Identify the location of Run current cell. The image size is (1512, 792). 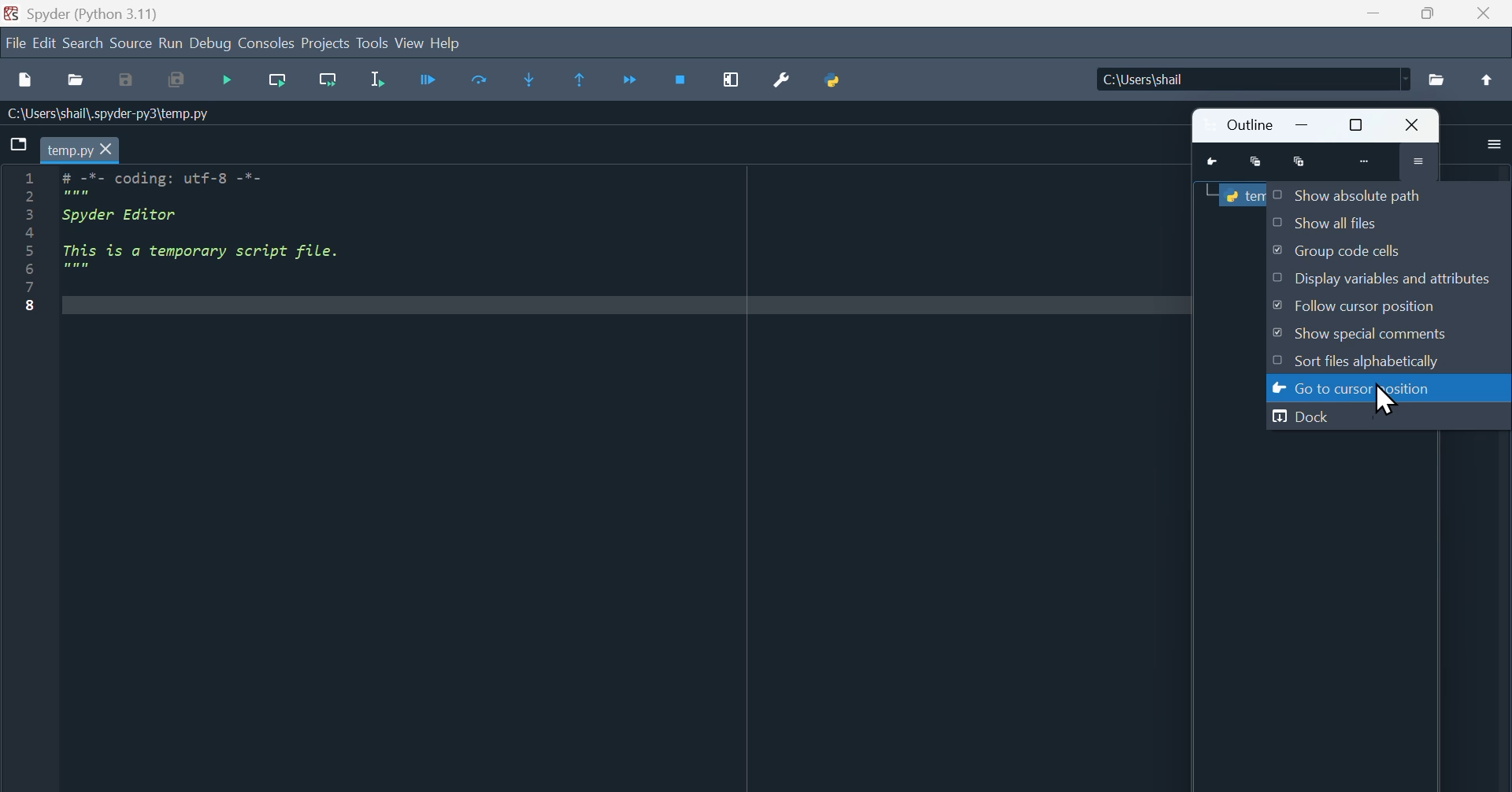
(278, 80).